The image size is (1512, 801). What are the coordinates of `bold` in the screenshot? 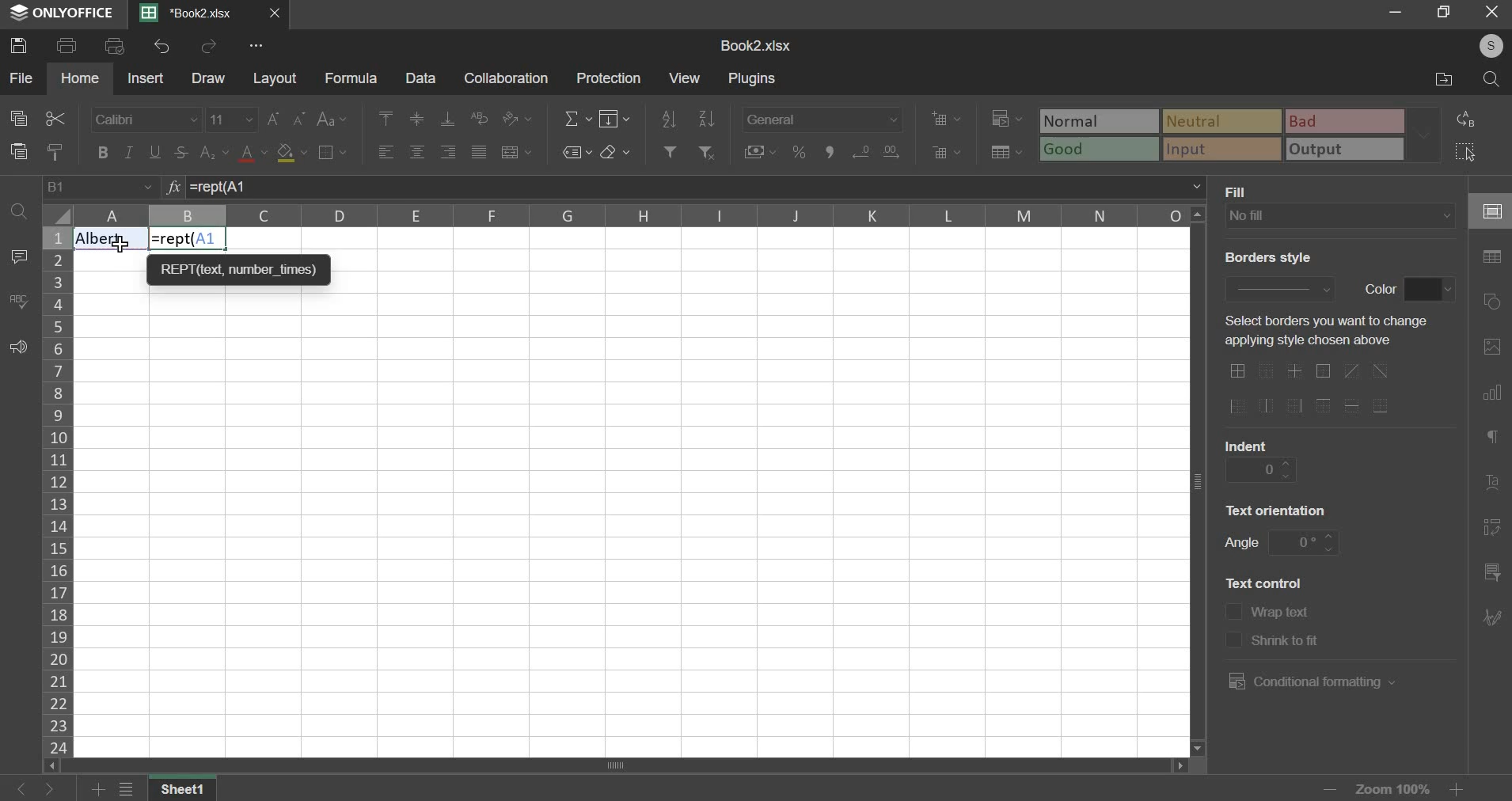 It's located at (102, 152).